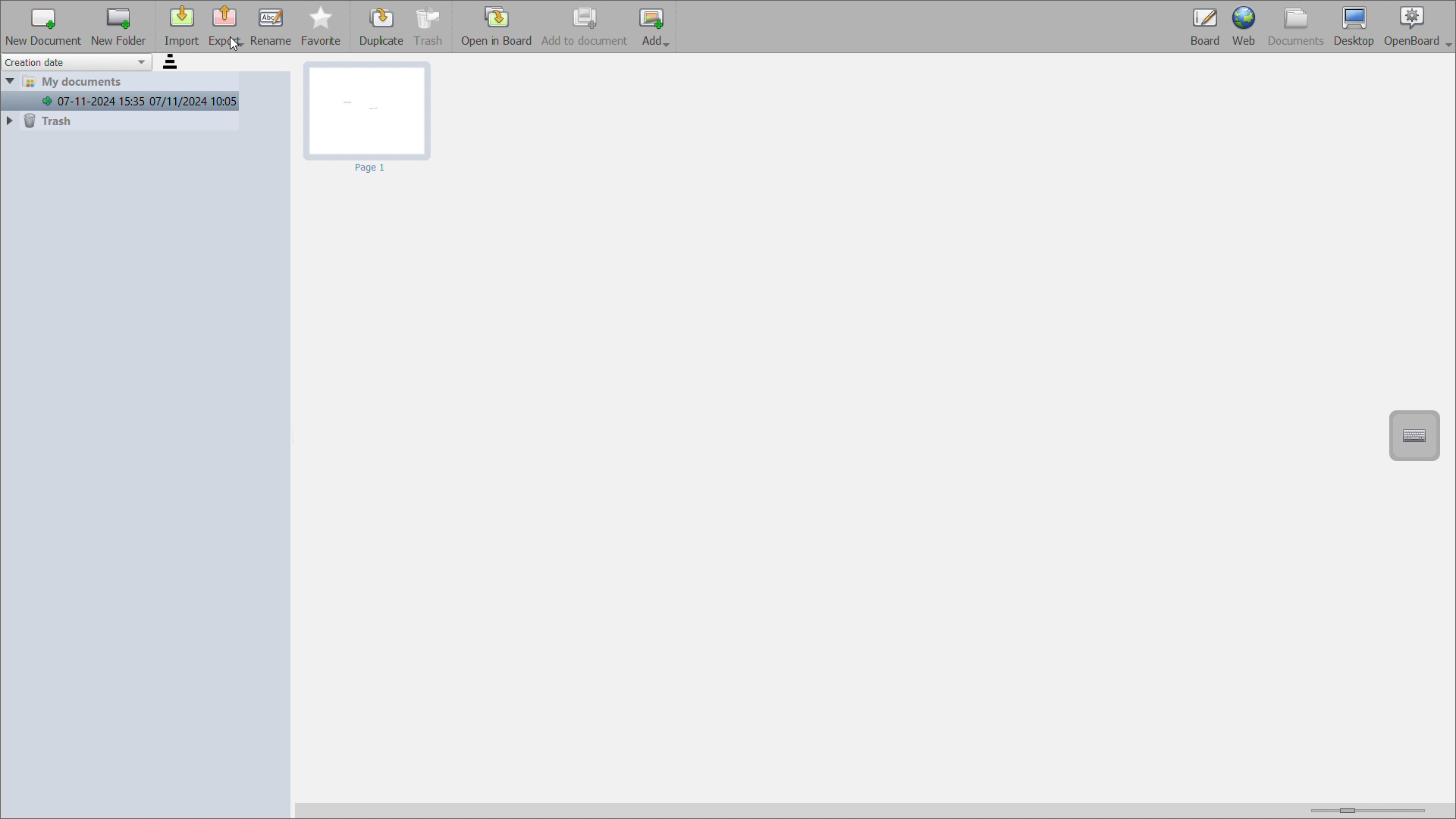 This screenshot has width=1456, height=819. Describe the element at coordinates (43, 26) in the screenshot. I see `add new document` at that location.